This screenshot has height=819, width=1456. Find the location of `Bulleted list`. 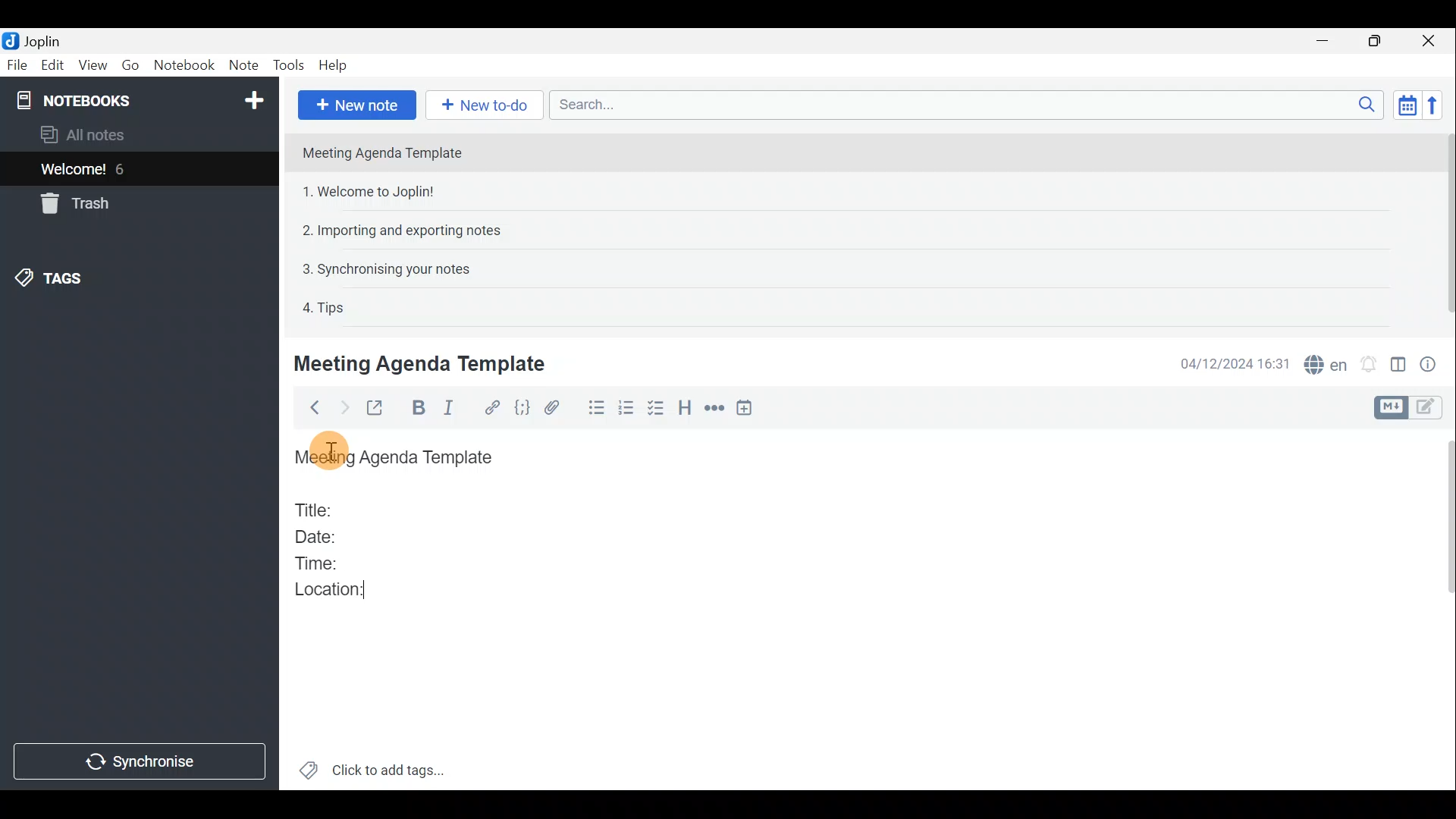

Bulleted list is located at coordinates (595, 408).